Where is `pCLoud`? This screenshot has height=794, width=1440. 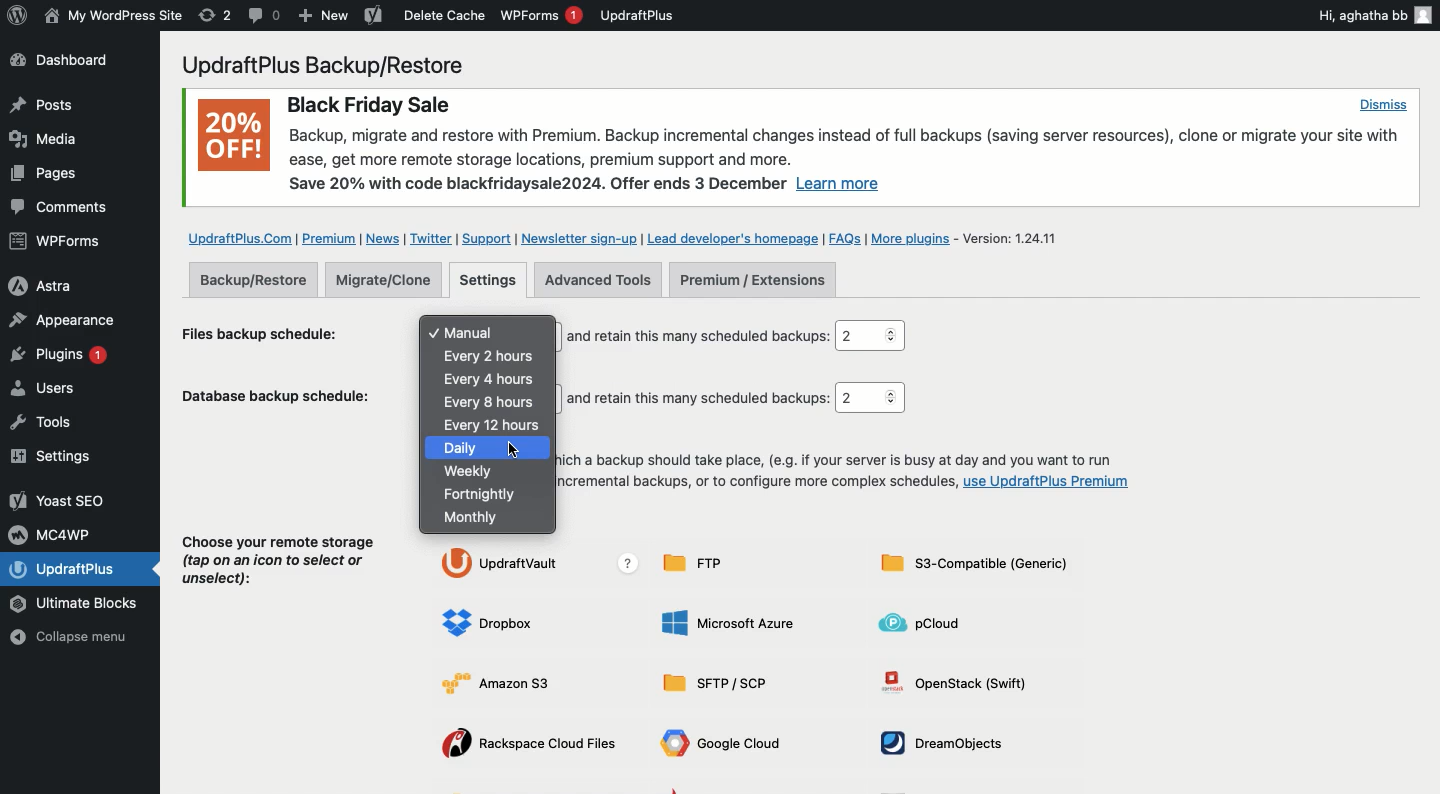 pCLoud is located at coordinates (928, 622).